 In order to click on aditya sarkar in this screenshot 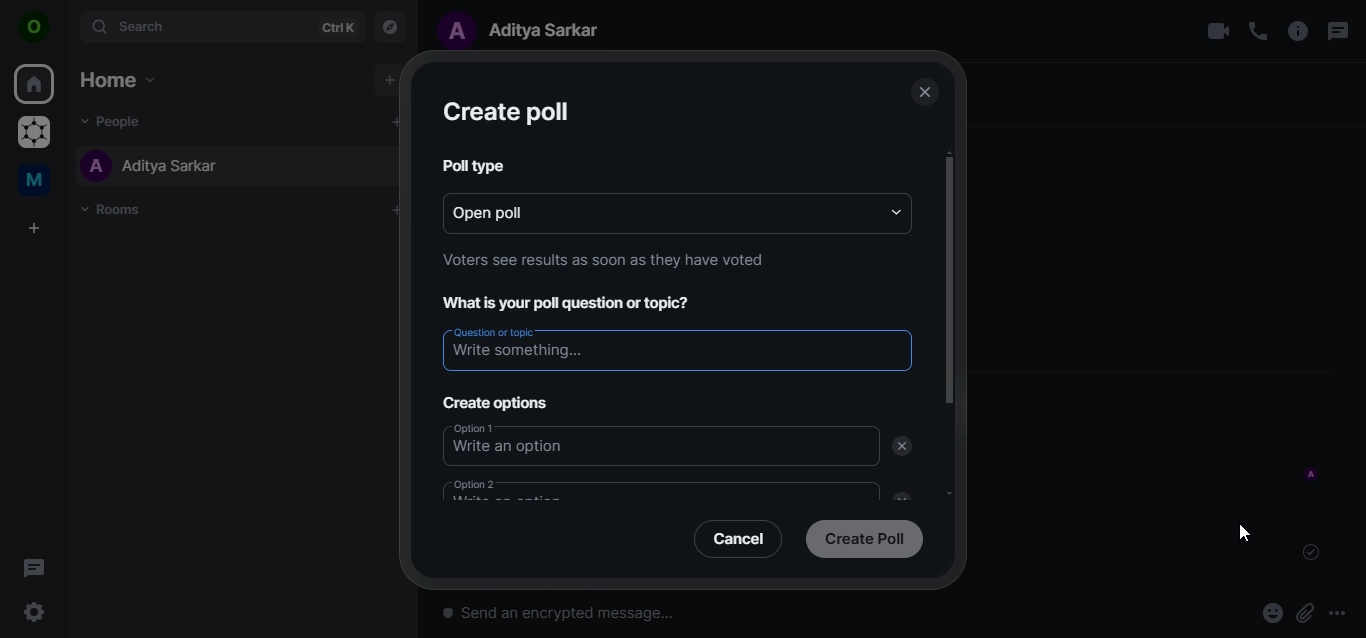, I will do `click(151, 165)`.